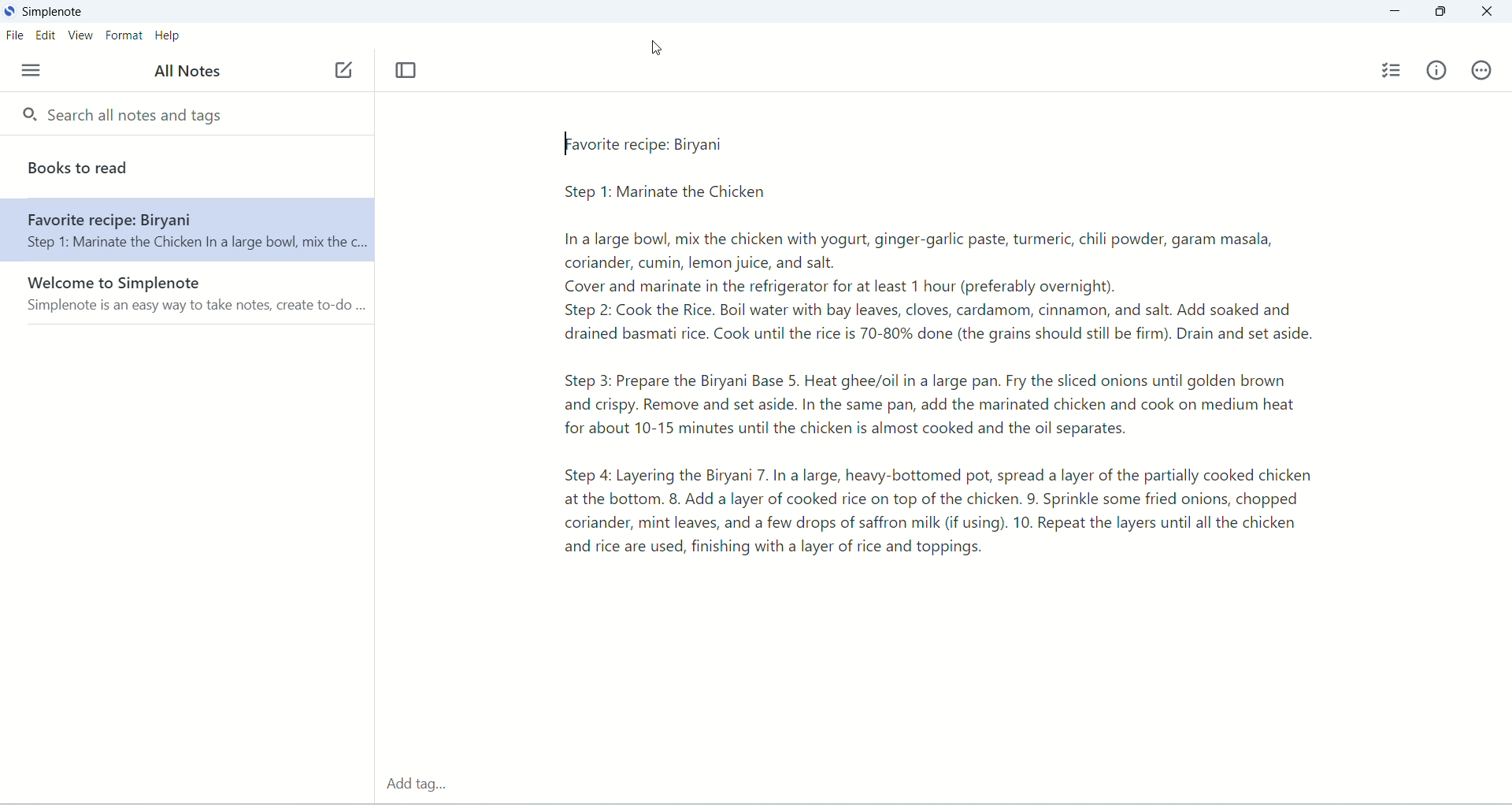  Describe the element at coordinates (124, 38) in the screenshot. I see `format` at that location.